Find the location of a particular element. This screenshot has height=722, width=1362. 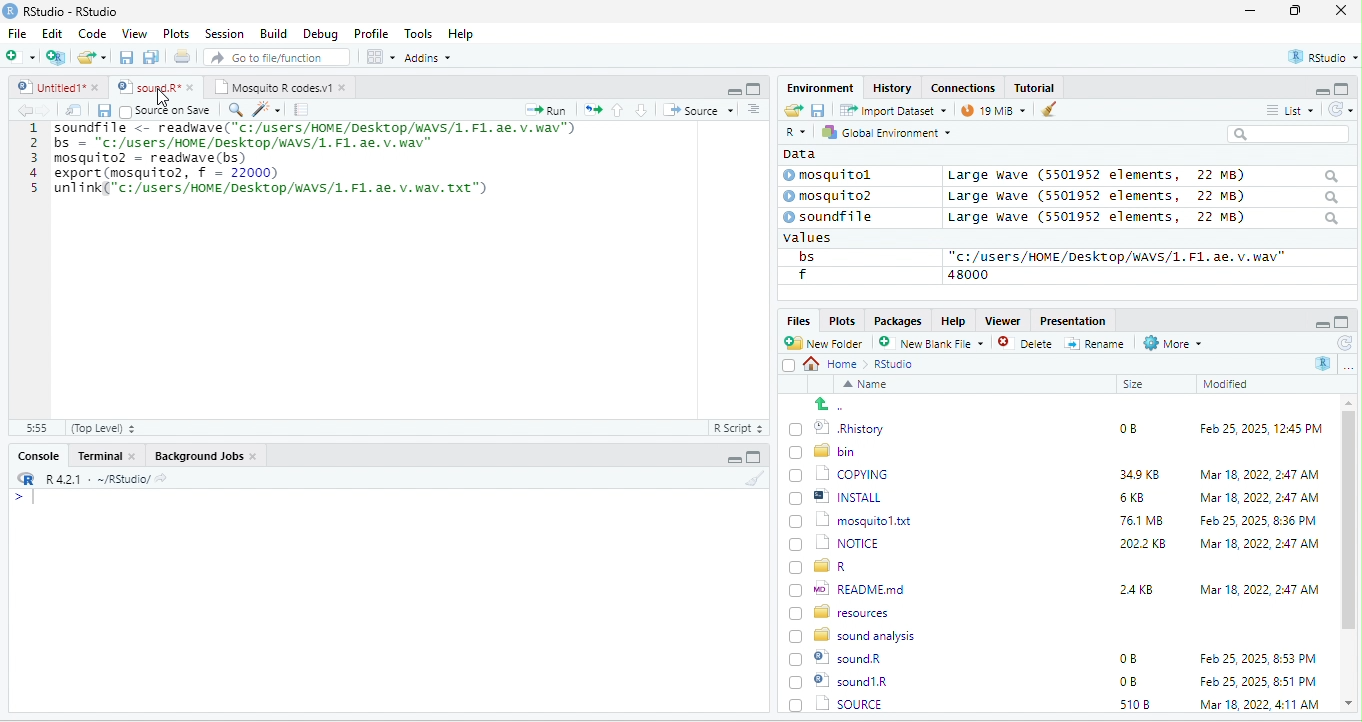

= List ~ is located at coordinates (1286, 110).